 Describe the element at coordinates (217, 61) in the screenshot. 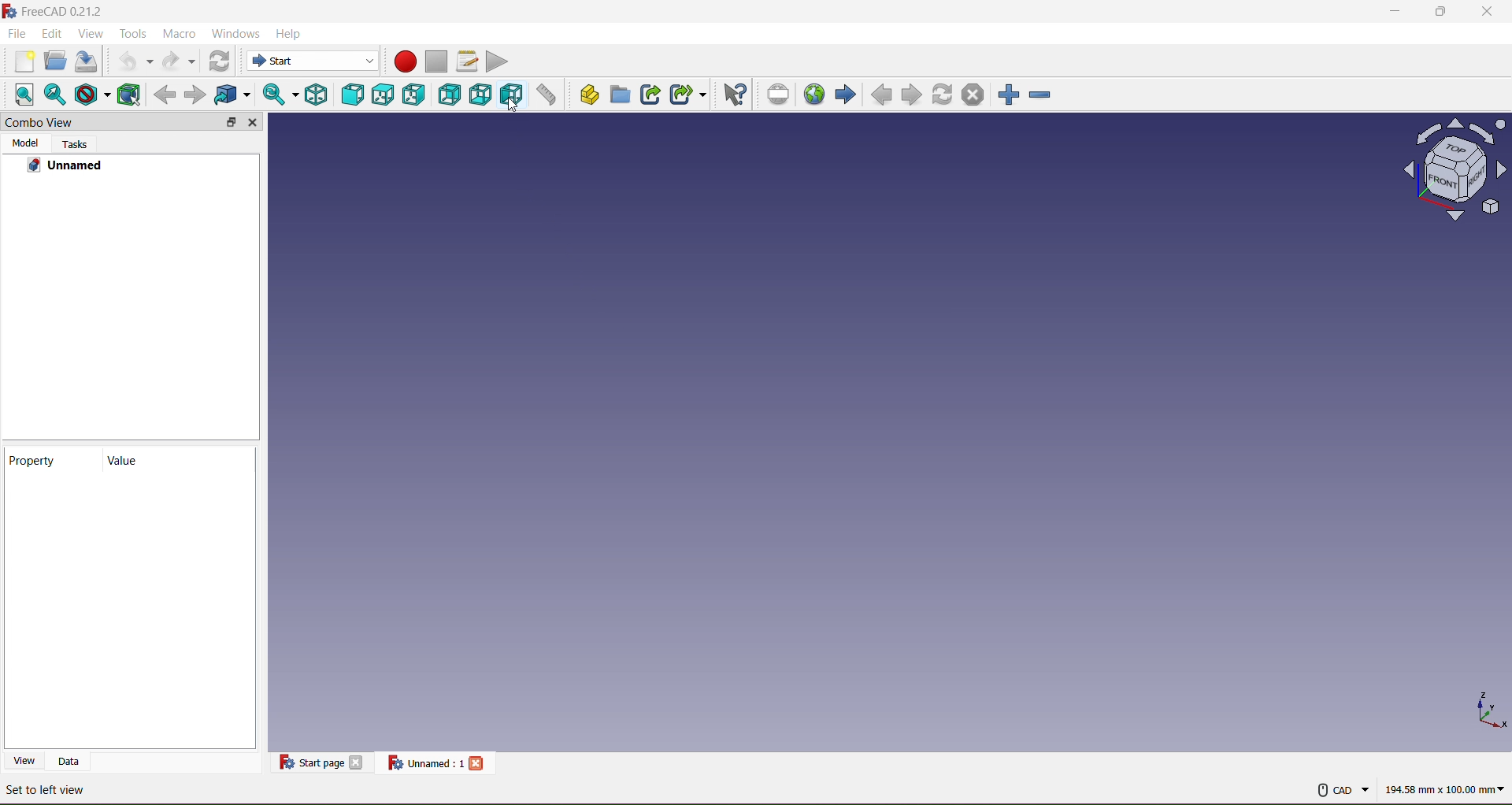

I see `Workbench Selector` at that location.